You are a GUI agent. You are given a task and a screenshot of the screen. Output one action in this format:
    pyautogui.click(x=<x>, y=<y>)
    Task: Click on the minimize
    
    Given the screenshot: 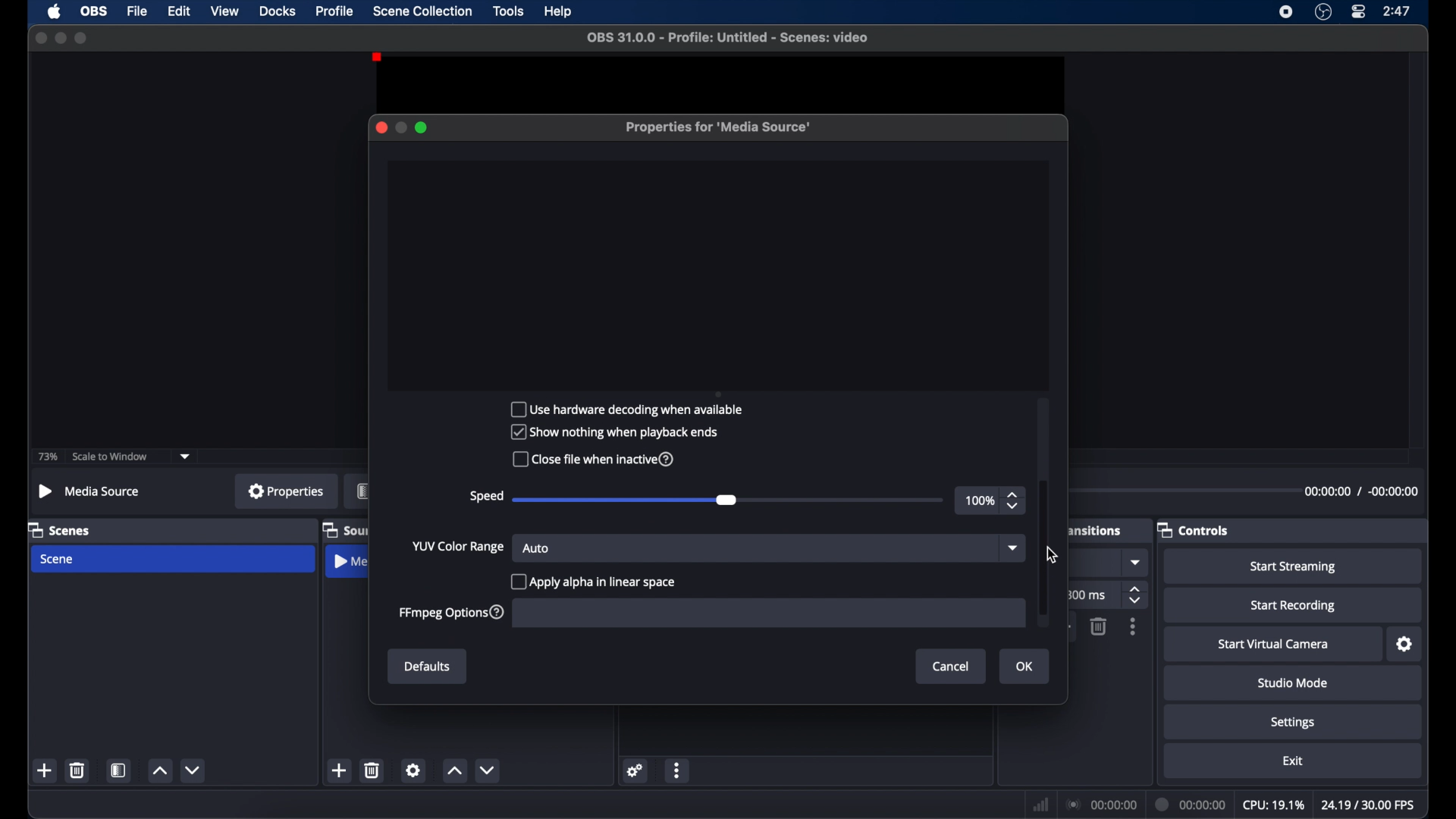 What is the action you would take?
    pyautogui.click(x=59, y=38)
    